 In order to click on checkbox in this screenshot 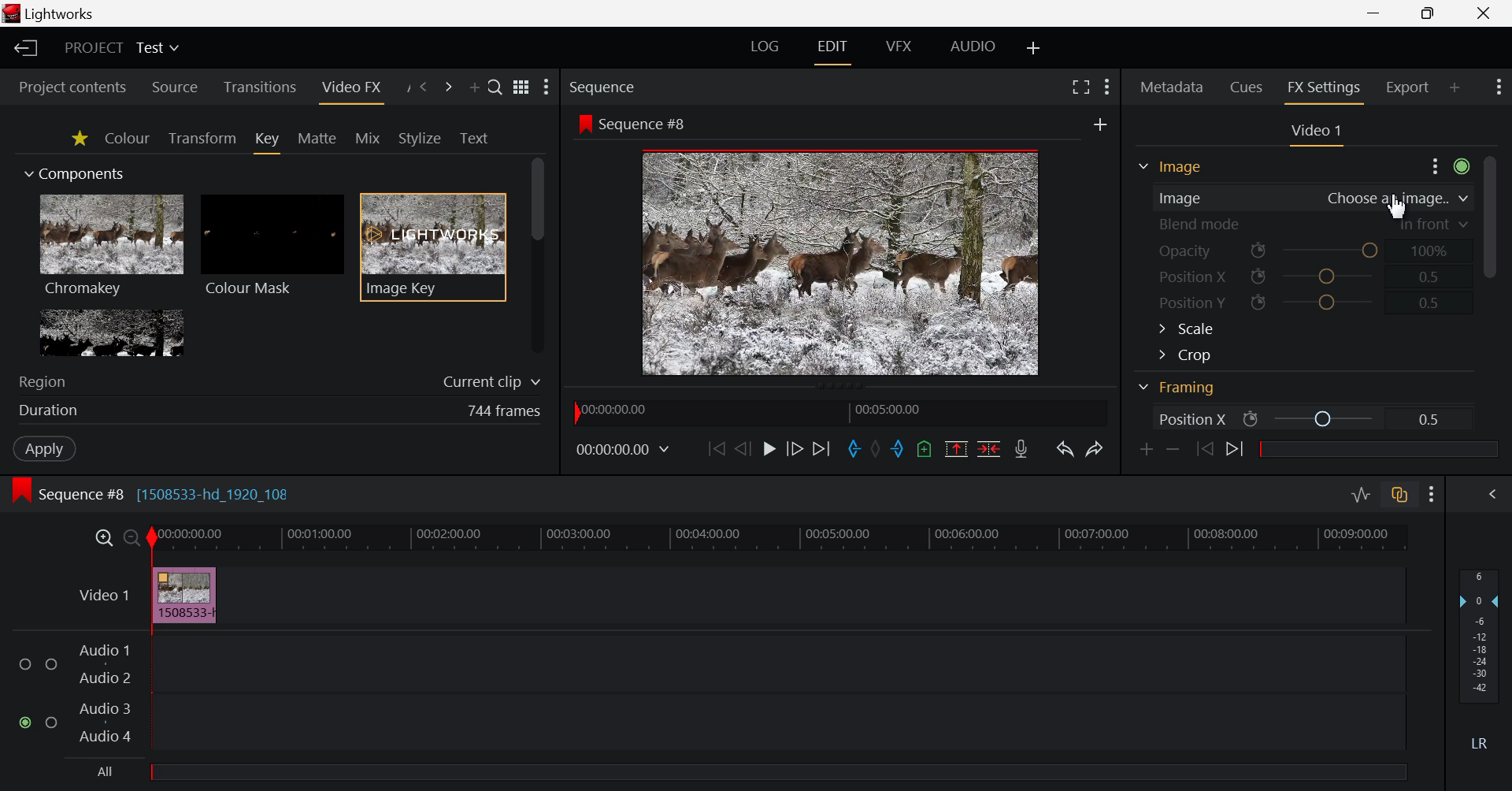, I will do `click(52, 722)`.